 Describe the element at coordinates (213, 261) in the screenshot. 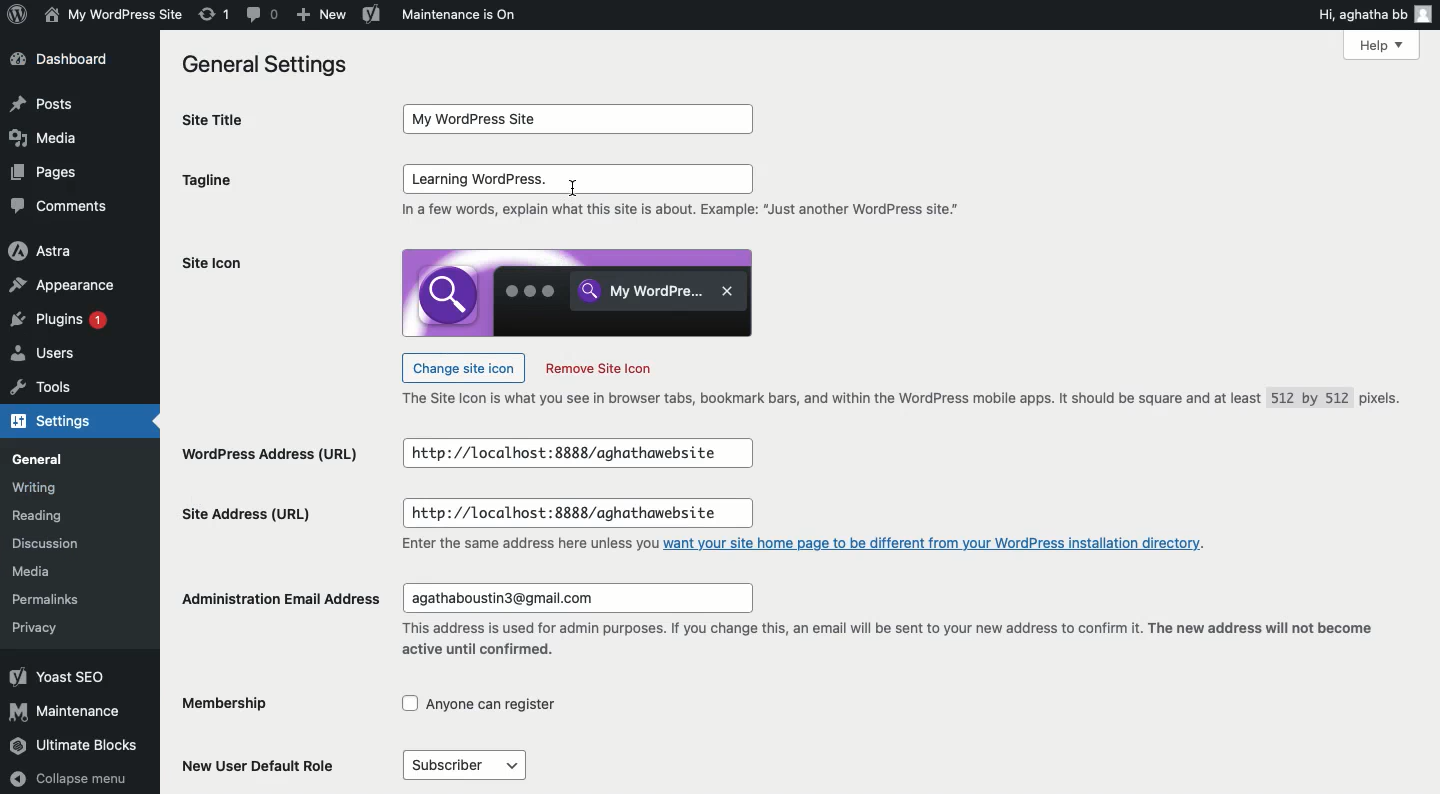

I see `Site icon` at that location.